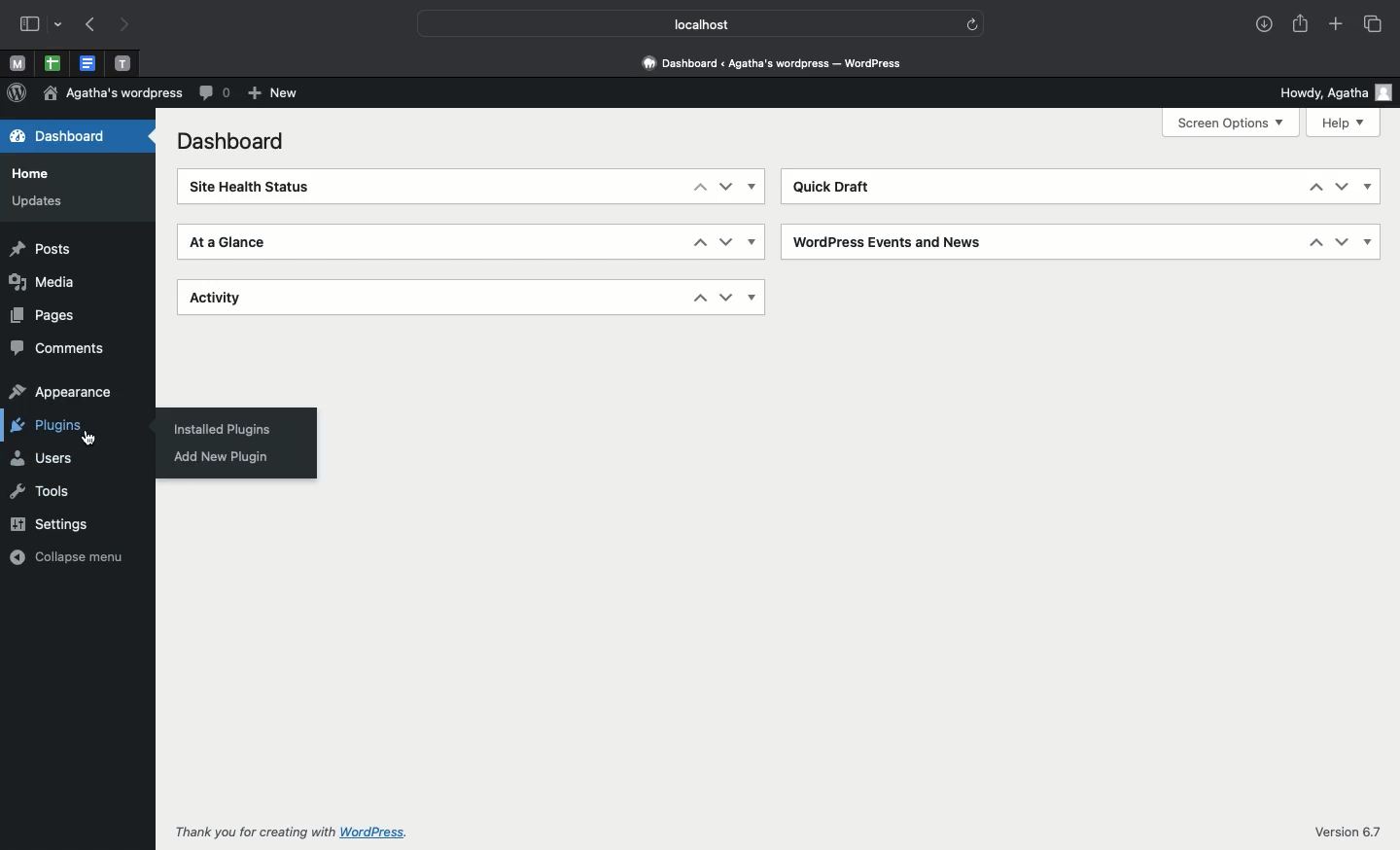 The width and height of the screenshot is (1400, 850). What do you see at coordinates (727, 297) in the screenshot?
I see `Down` at bounding box center [727, 297].